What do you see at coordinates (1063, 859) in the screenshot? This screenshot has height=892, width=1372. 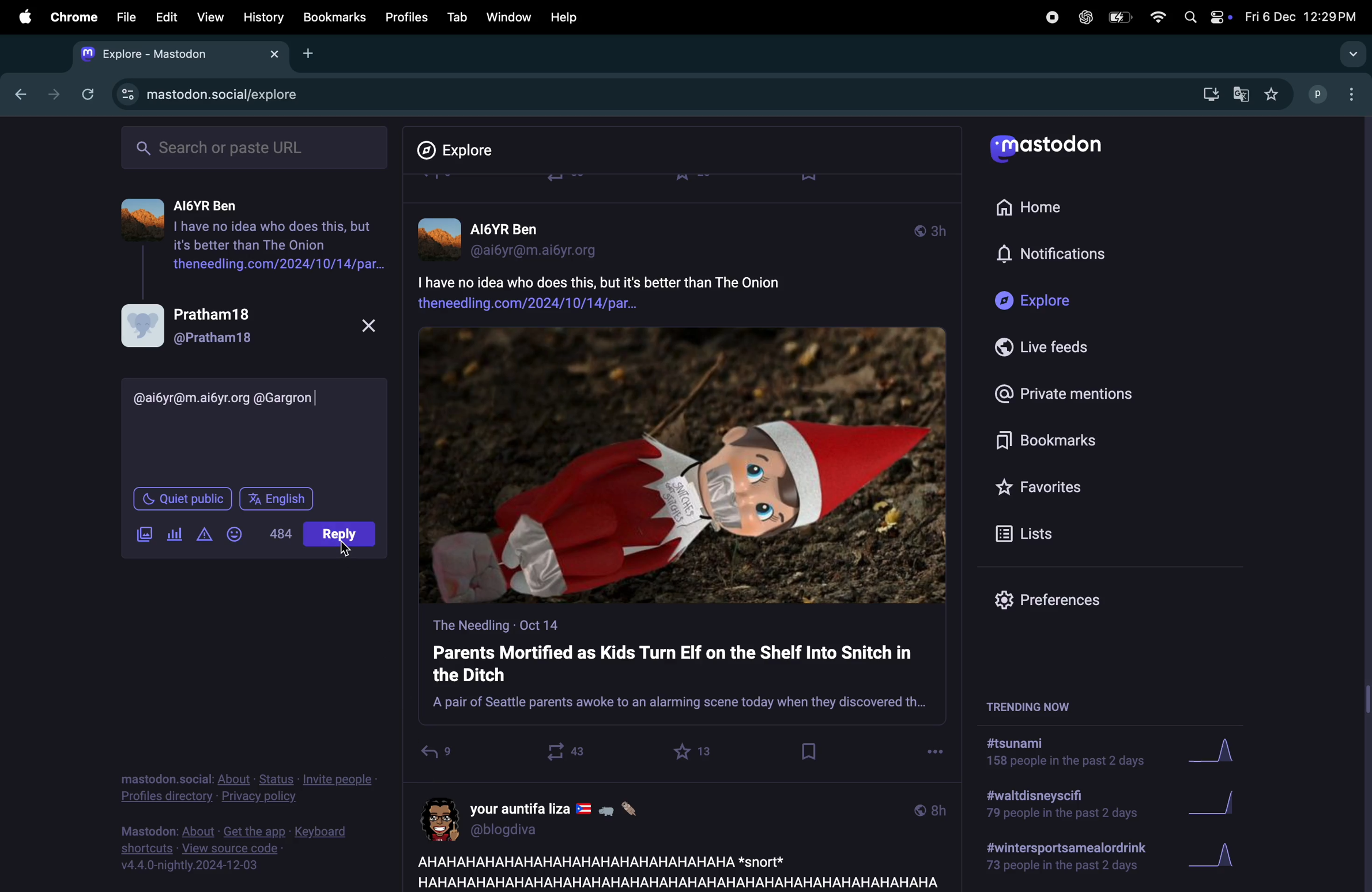 I see `#winter sport drink` at bounding box center [1063, 859].